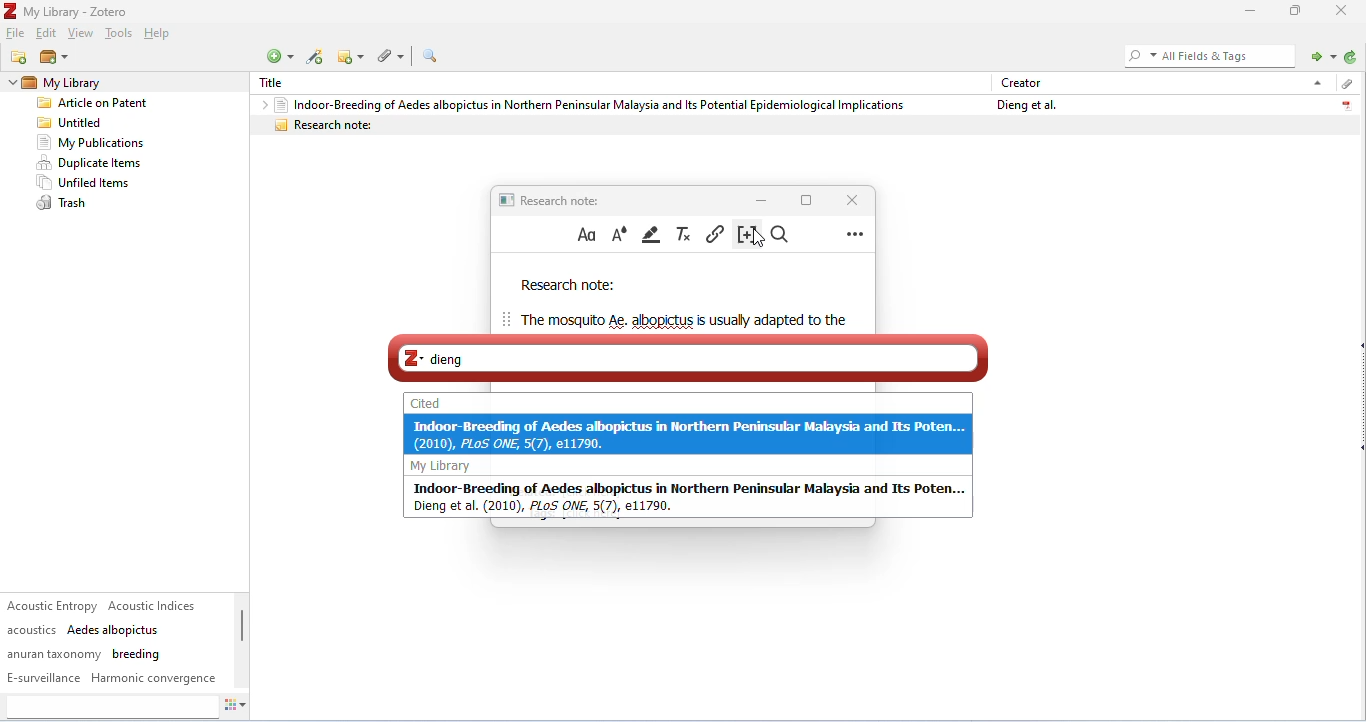 This screenshot has width=1366, height=722. I want to click on add item, so click(316, 57).